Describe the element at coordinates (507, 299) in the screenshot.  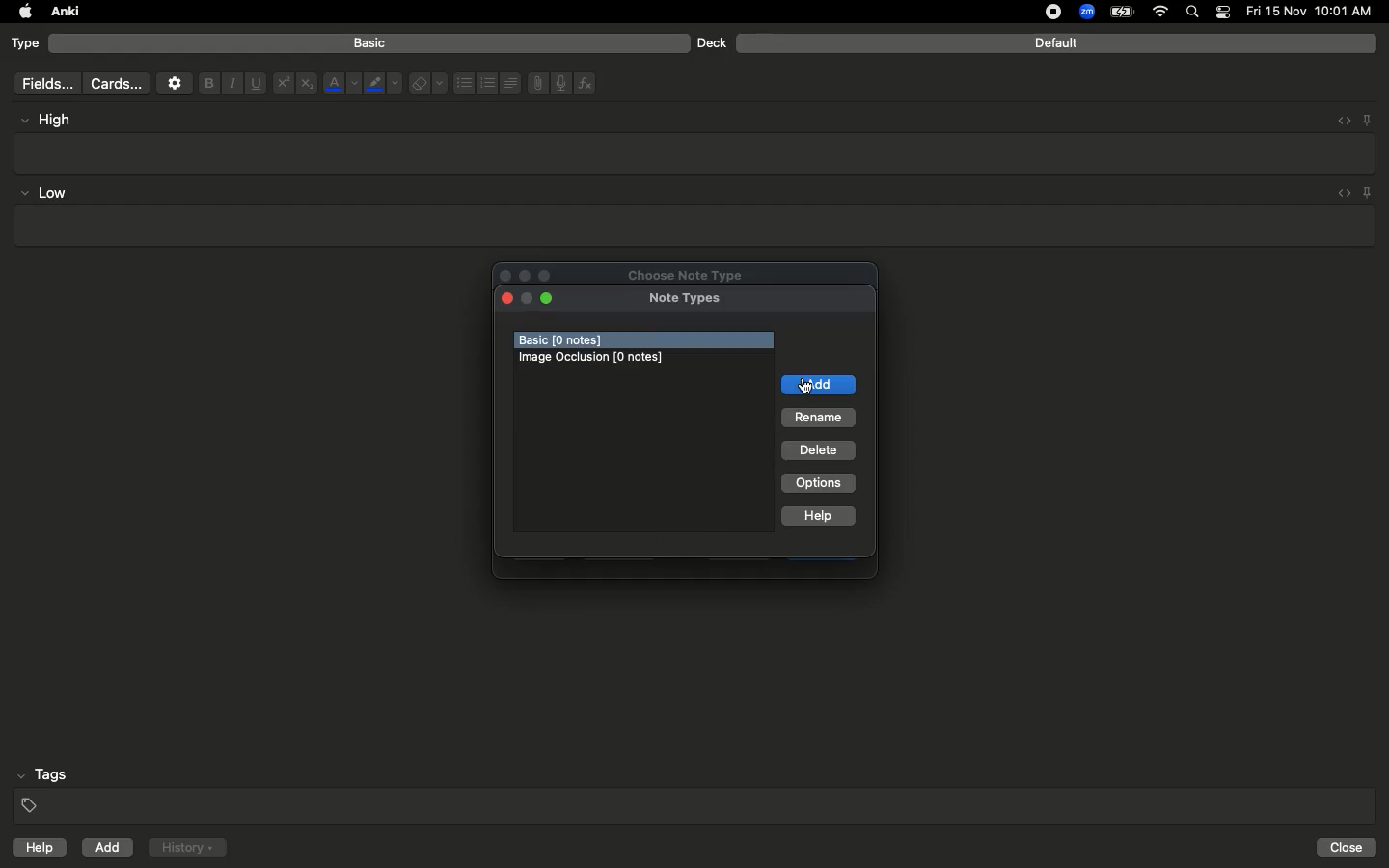
I see `Close` at that location.